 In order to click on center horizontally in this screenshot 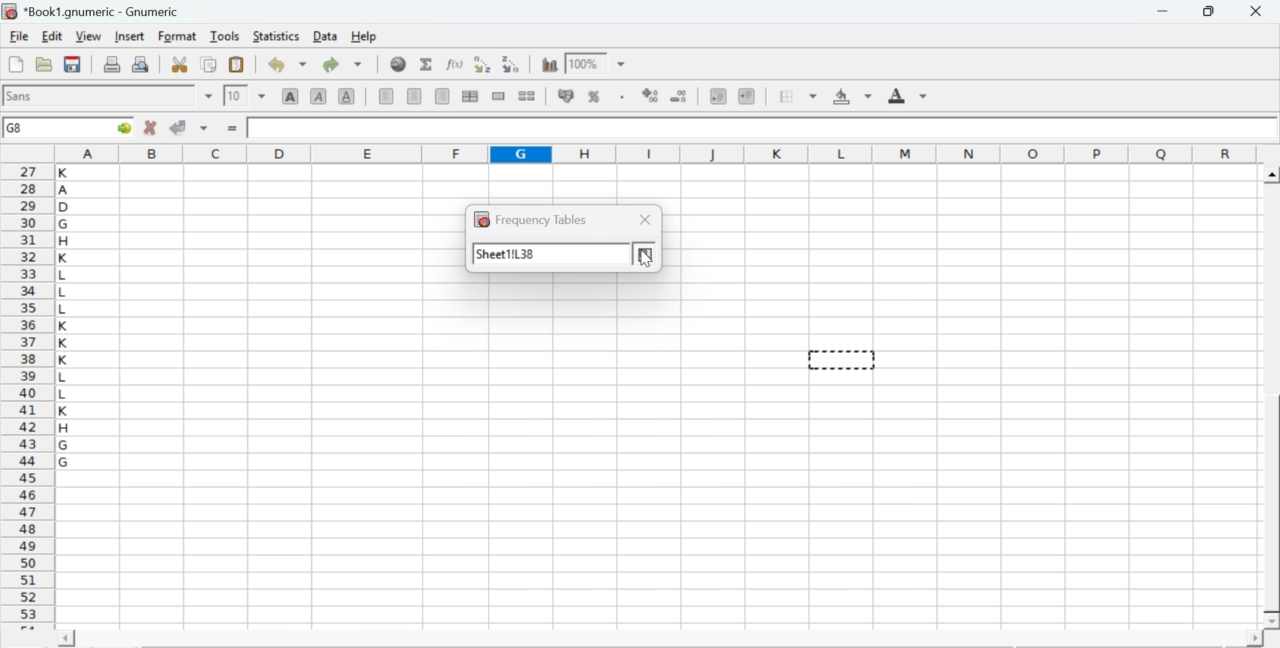, I will do `click(415, 96)`.